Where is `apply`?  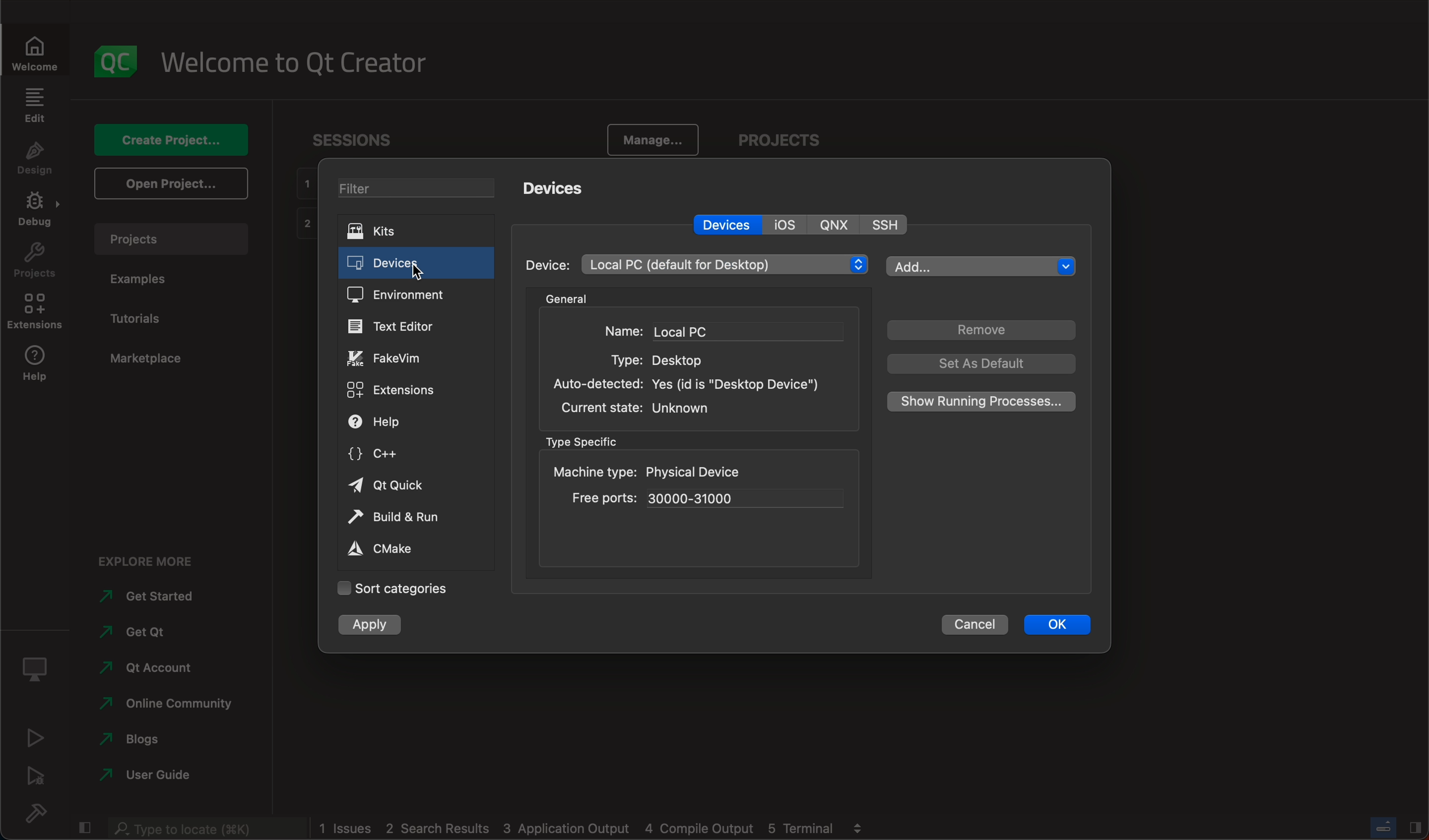
apply is located at coordinates (374, 627).